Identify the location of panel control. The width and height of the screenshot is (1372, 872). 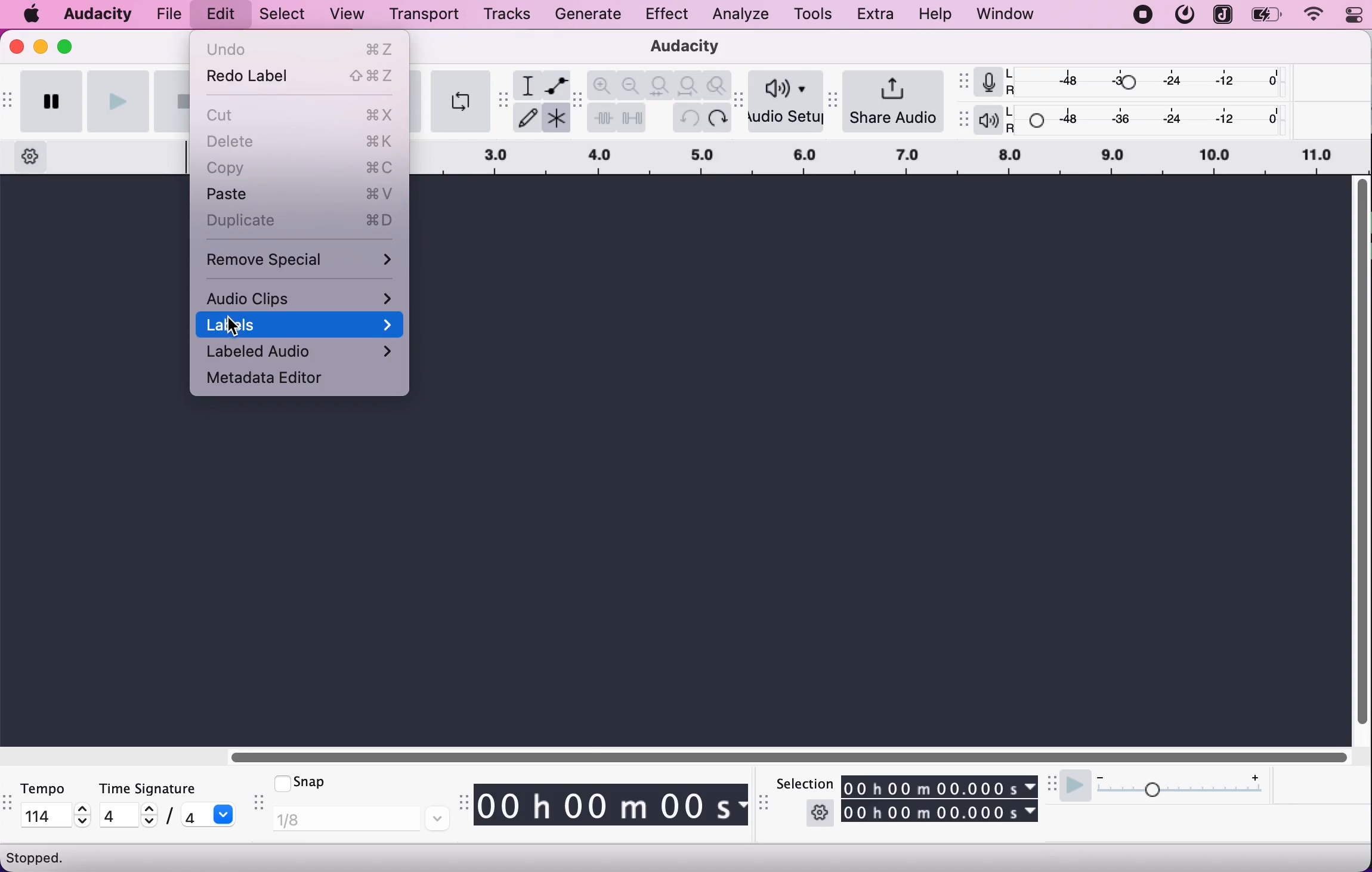
(1348, 16).